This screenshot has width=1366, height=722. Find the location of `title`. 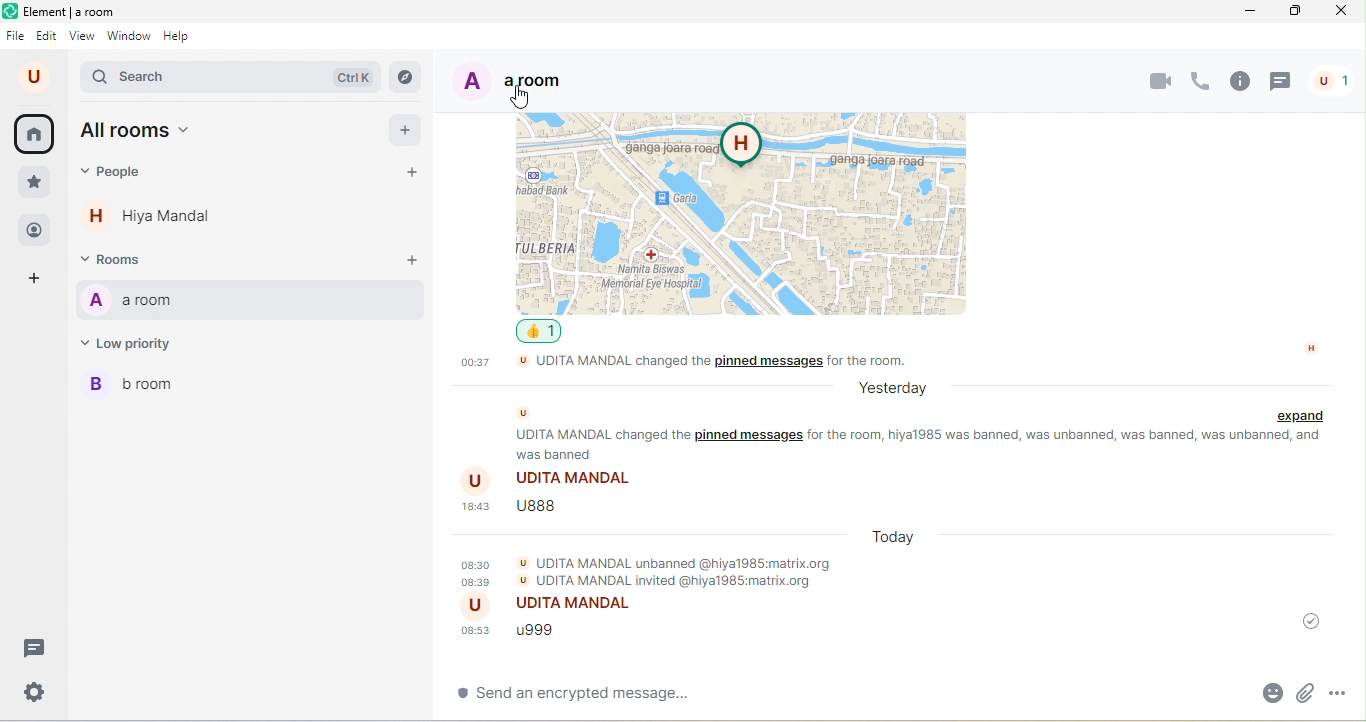

title is located at coordinates (66, 13).